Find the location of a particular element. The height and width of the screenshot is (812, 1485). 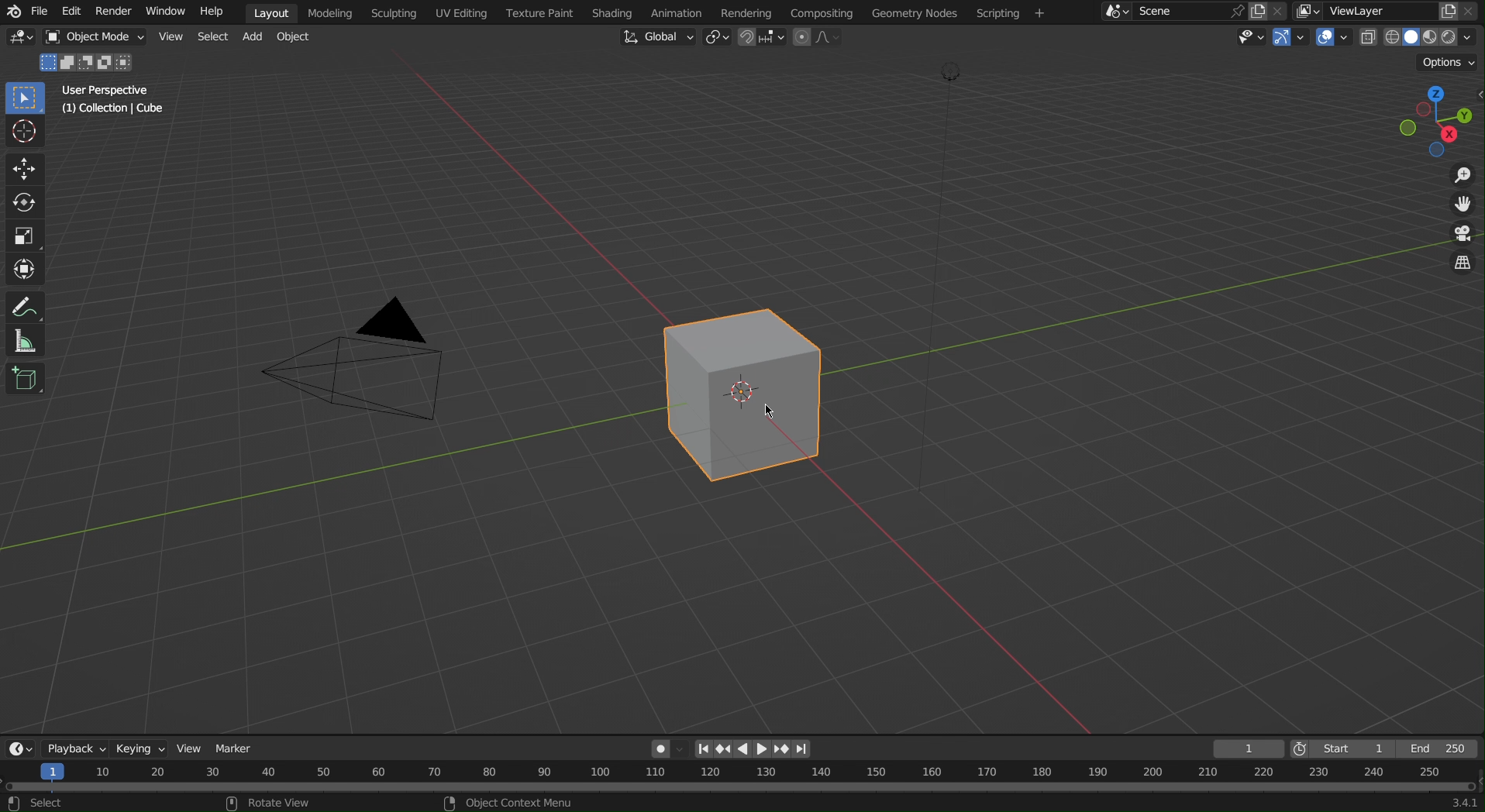

merge with no common thing is located at coordinates (108, 62).